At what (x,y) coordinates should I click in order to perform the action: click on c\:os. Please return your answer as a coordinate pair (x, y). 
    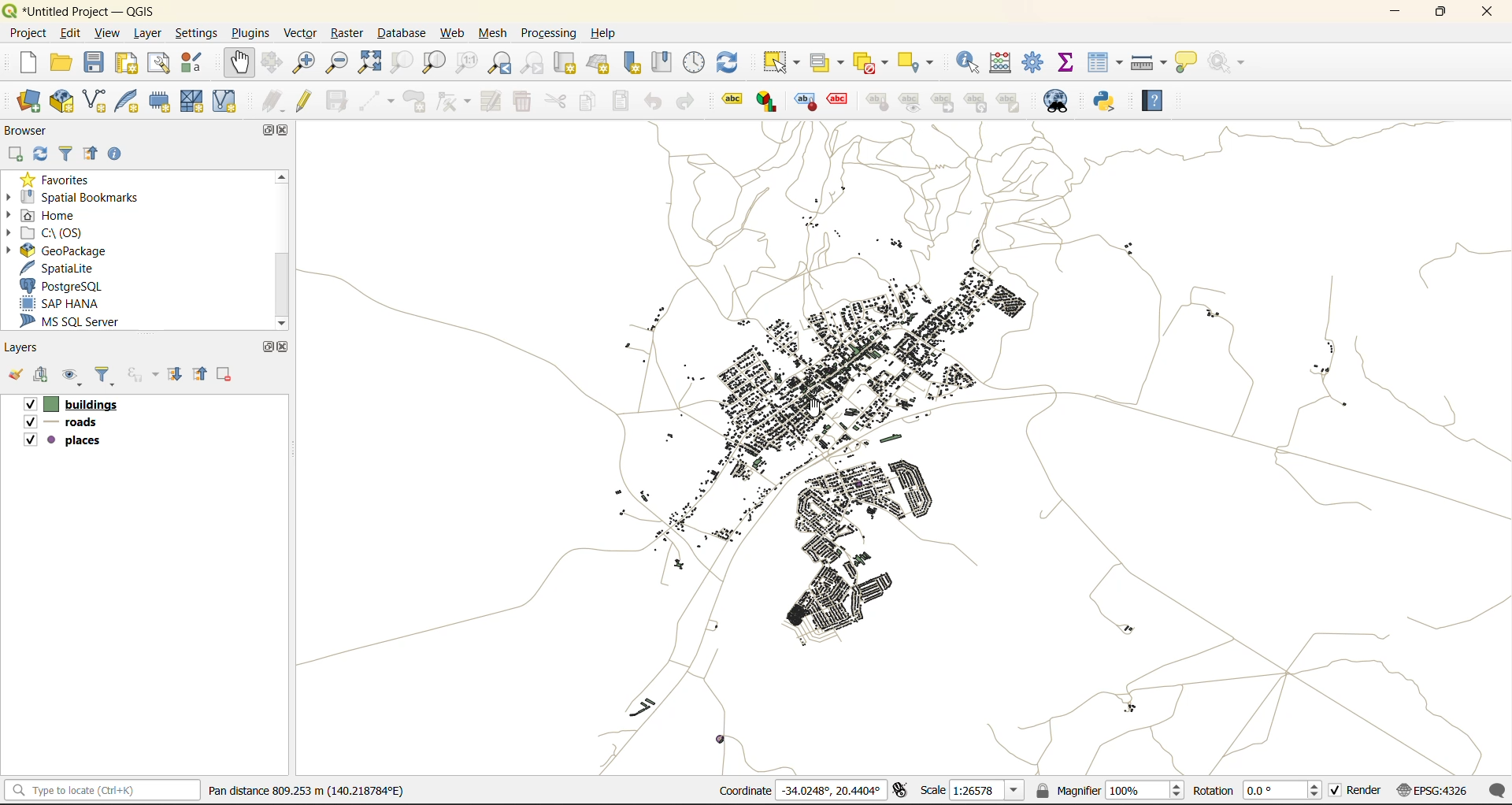
    Looking at the image, I should click on (56, 233).